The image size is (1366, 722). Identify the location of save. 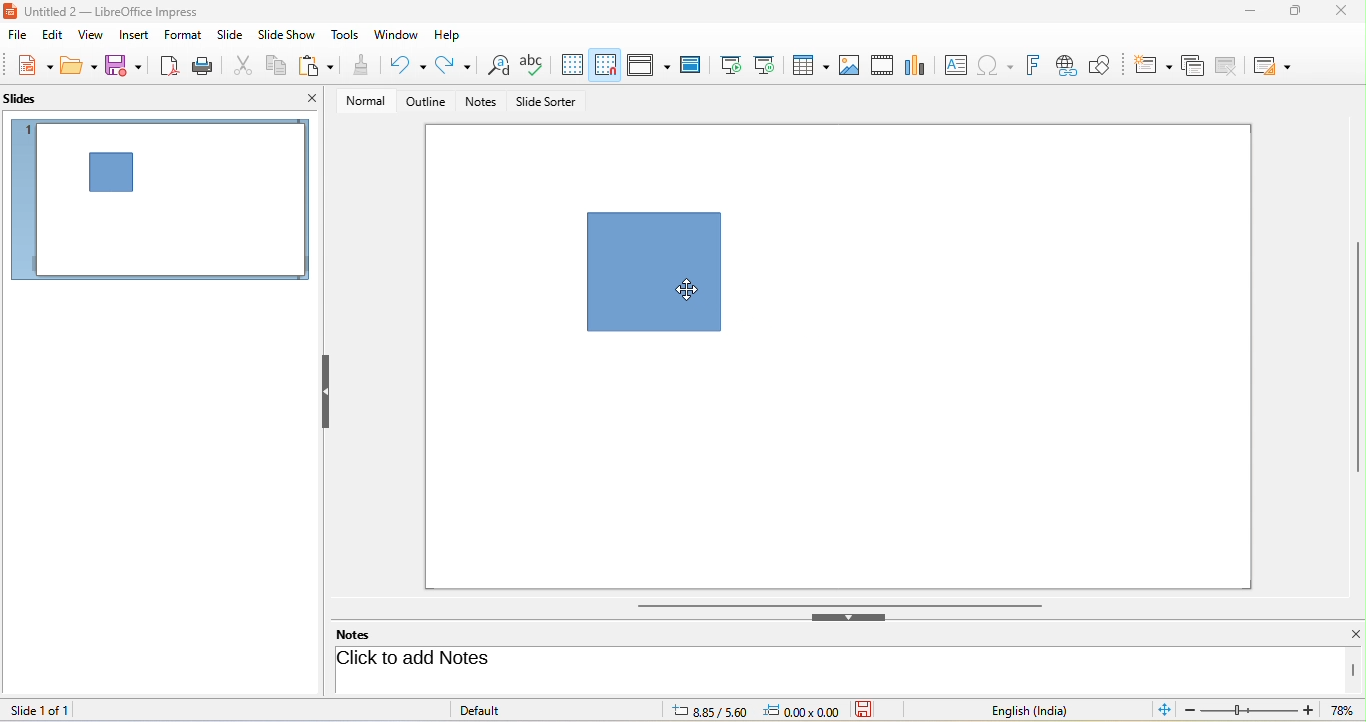
(125, 66).